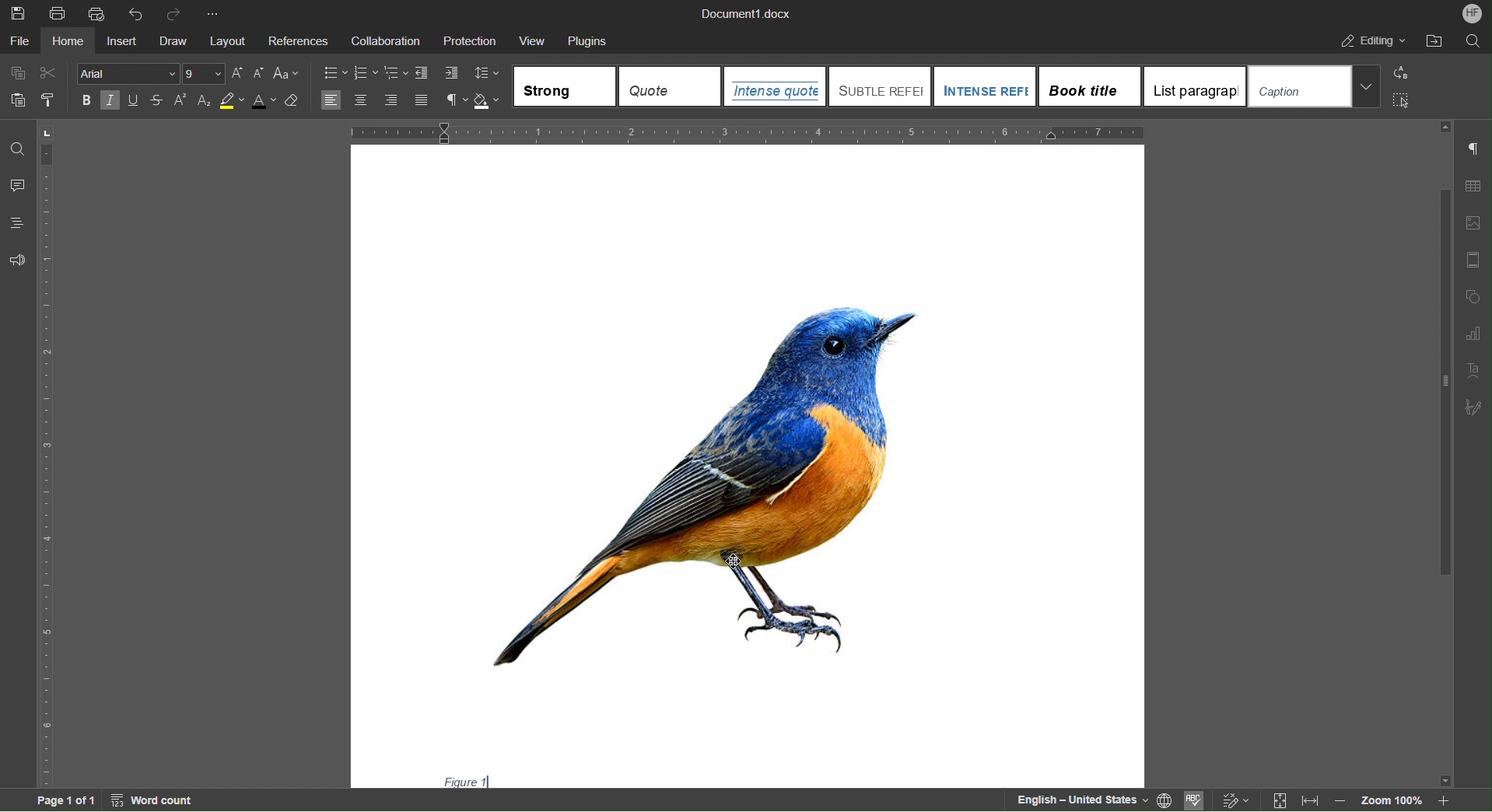 Image resolution: width=1492 pixels, height=812 pixels. Describe the element at coordinates (489, 100) in the screenshot. I see `Shadow` at that location.